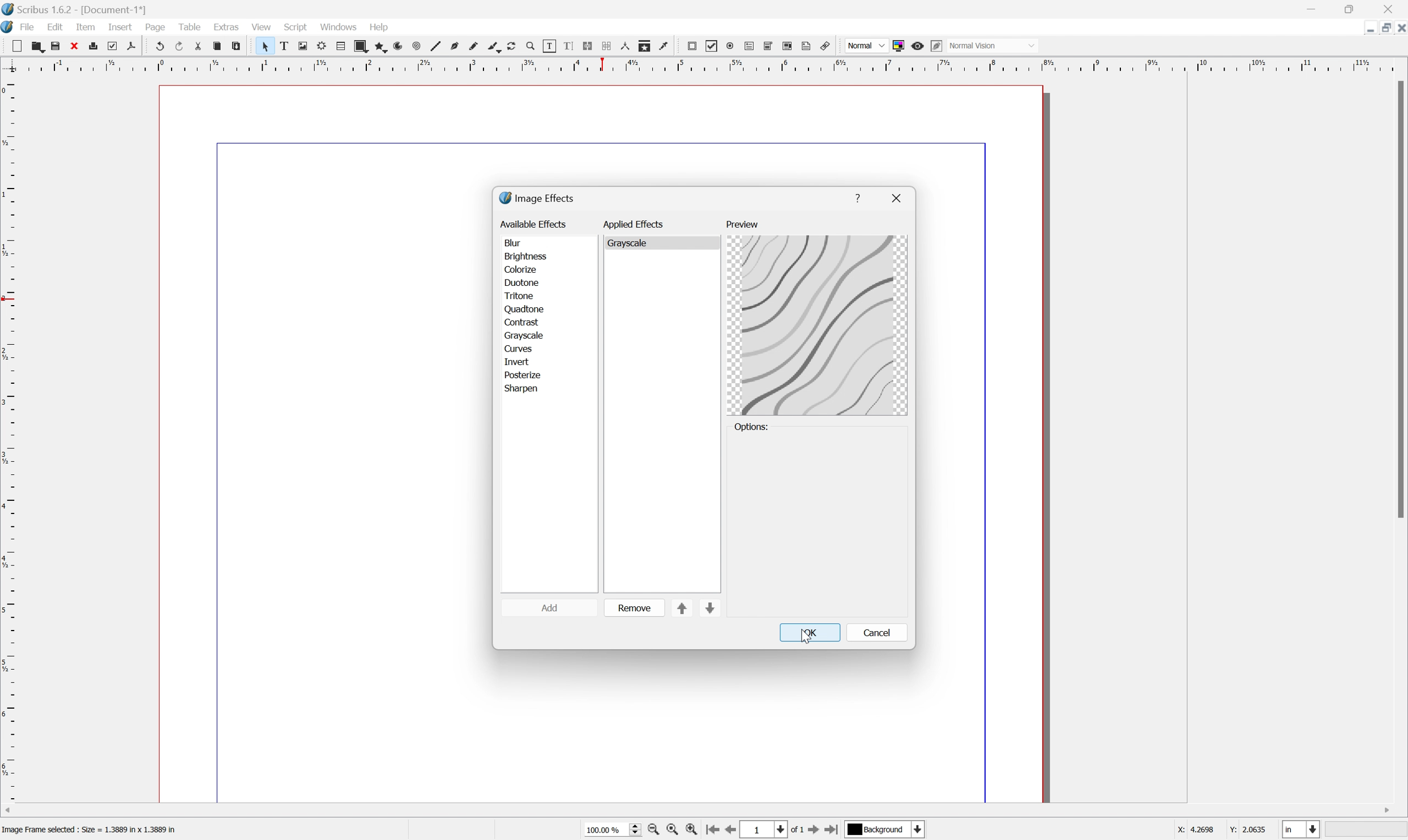 This screenshot has width=1408, height=840. What do you see at coordinates (307, 45) in the screenshot?
I see `Image frame` at bounding box center [307, 45].